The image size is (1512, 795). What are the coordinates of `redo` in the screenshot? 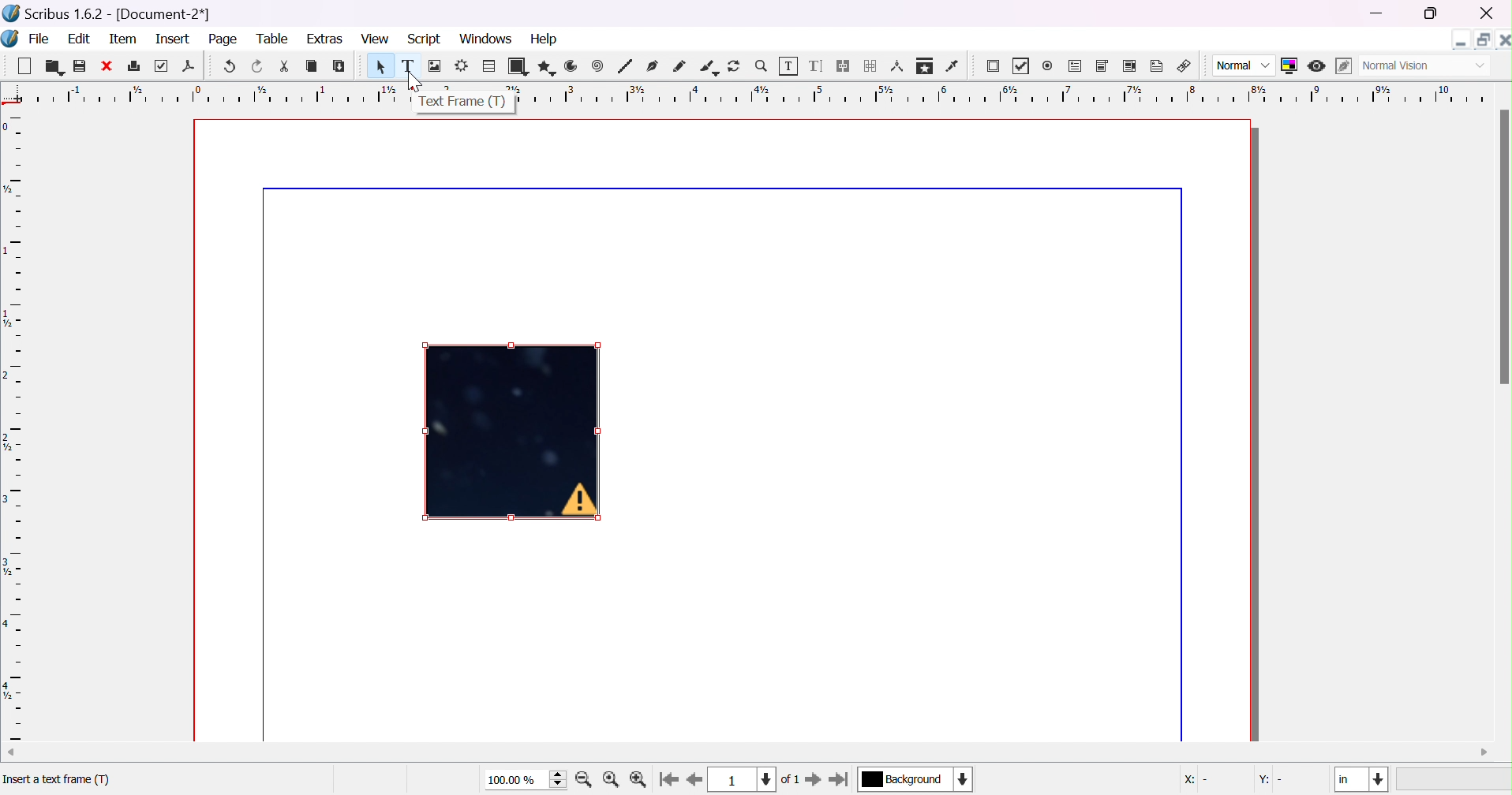 It's located at (258, 66).